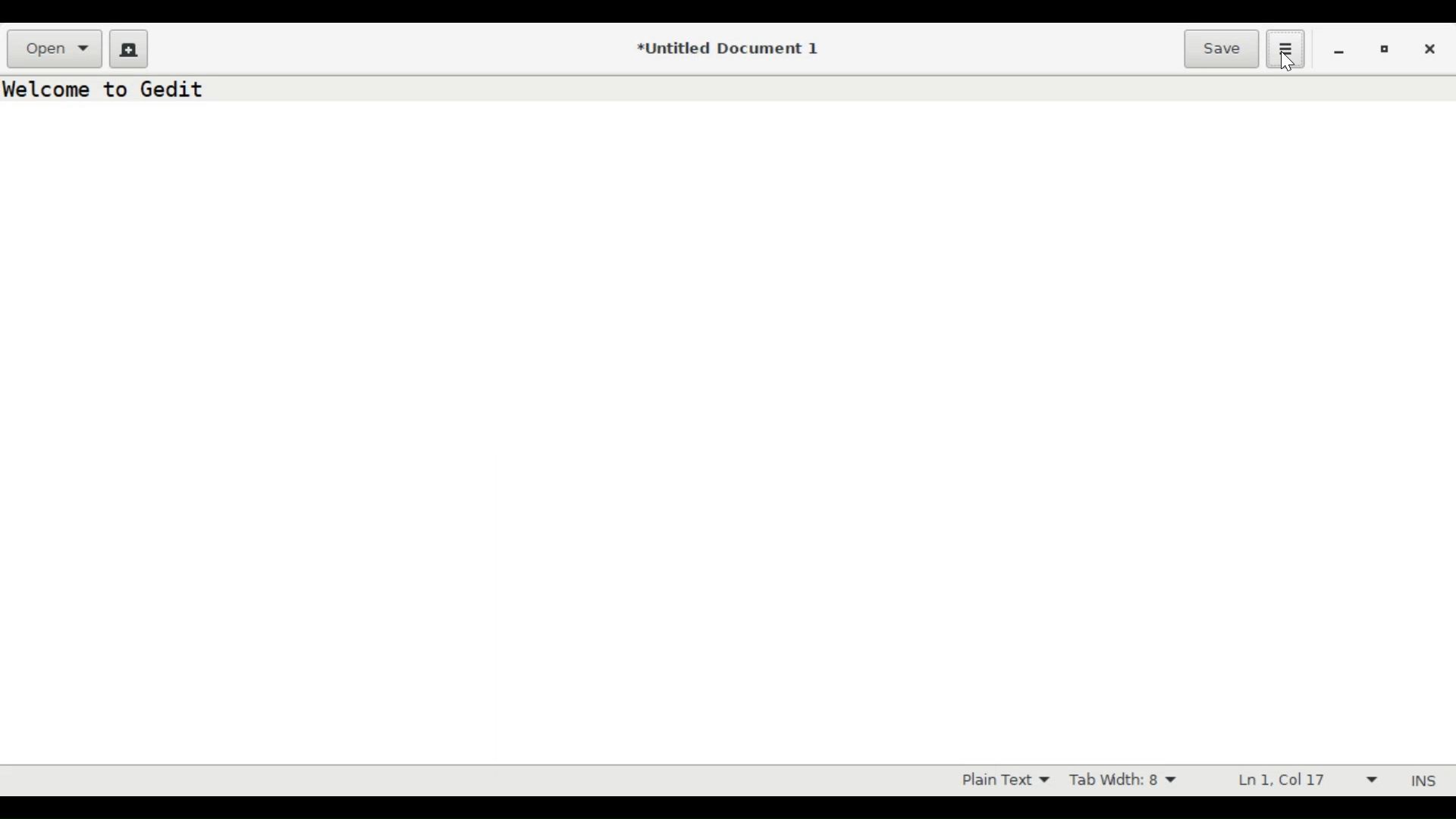 The image size is (1456, 819). Describe the element at coordinates (728, 50) in the screenshot. I see `*Untitled Document 1` at that location.